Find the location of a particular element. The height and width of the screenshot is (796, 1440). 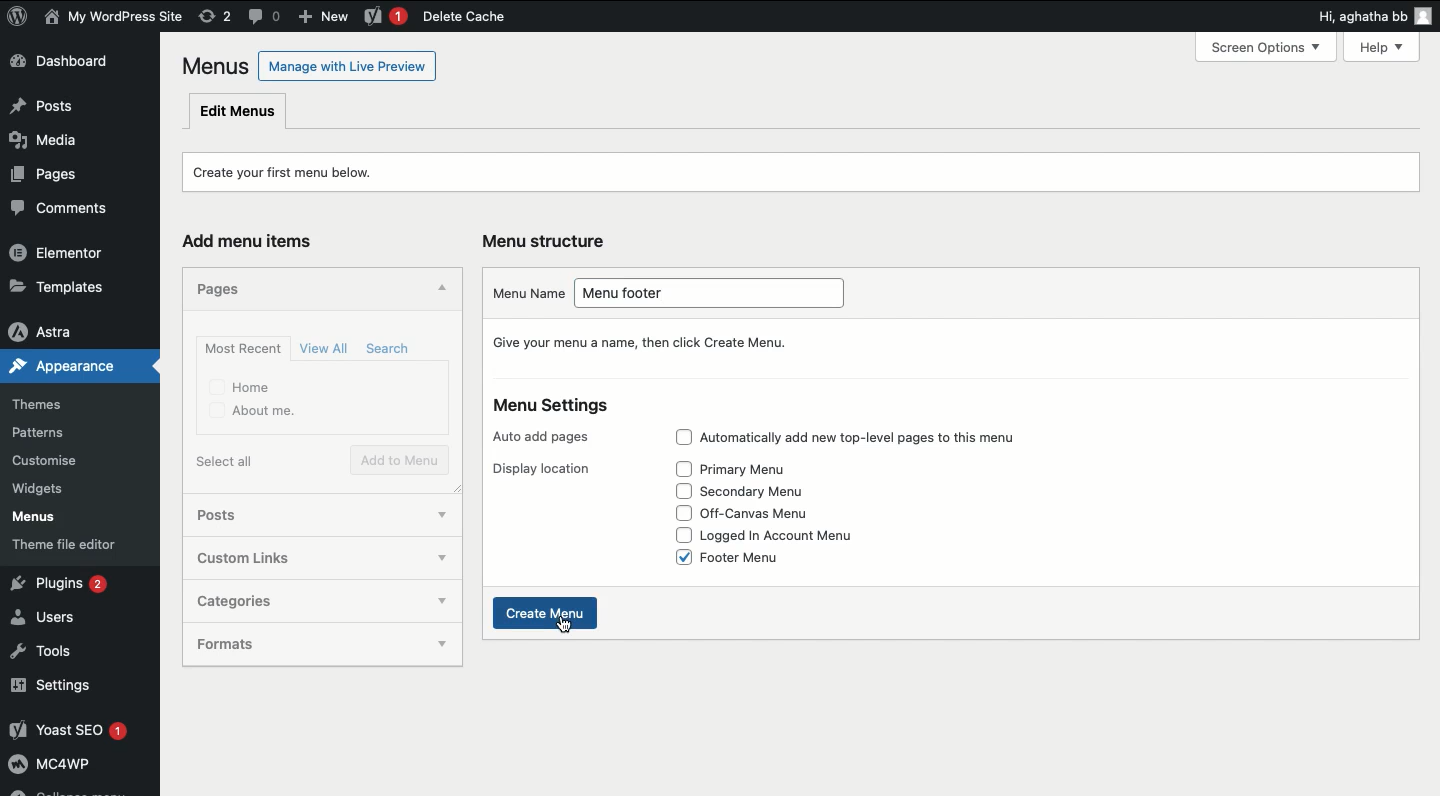

Theme file editor is located at coordinates (81, 548).